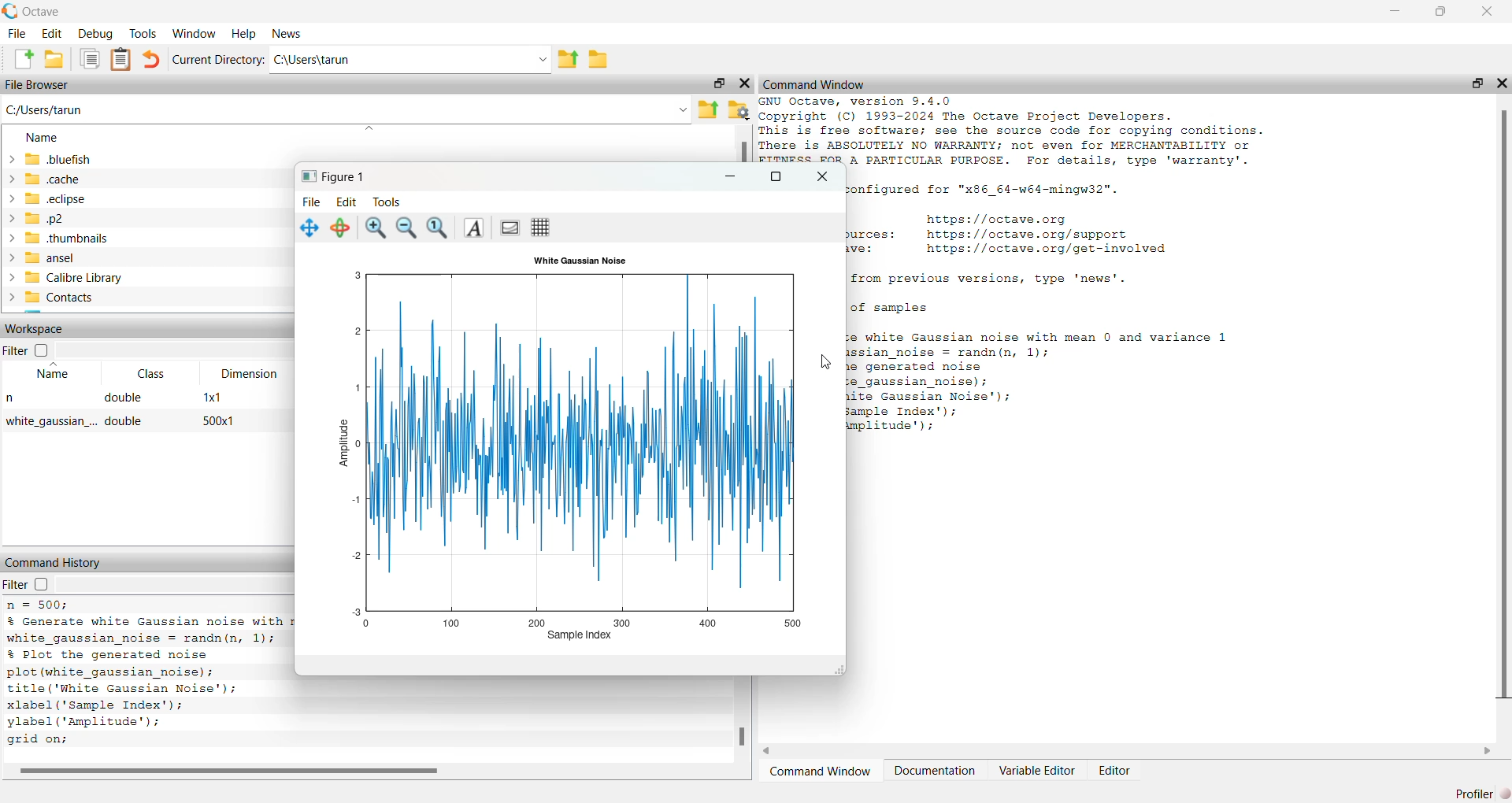 This screenshot has height=803, width=1512. I want to click on  thumbnails, so click(64, 238).